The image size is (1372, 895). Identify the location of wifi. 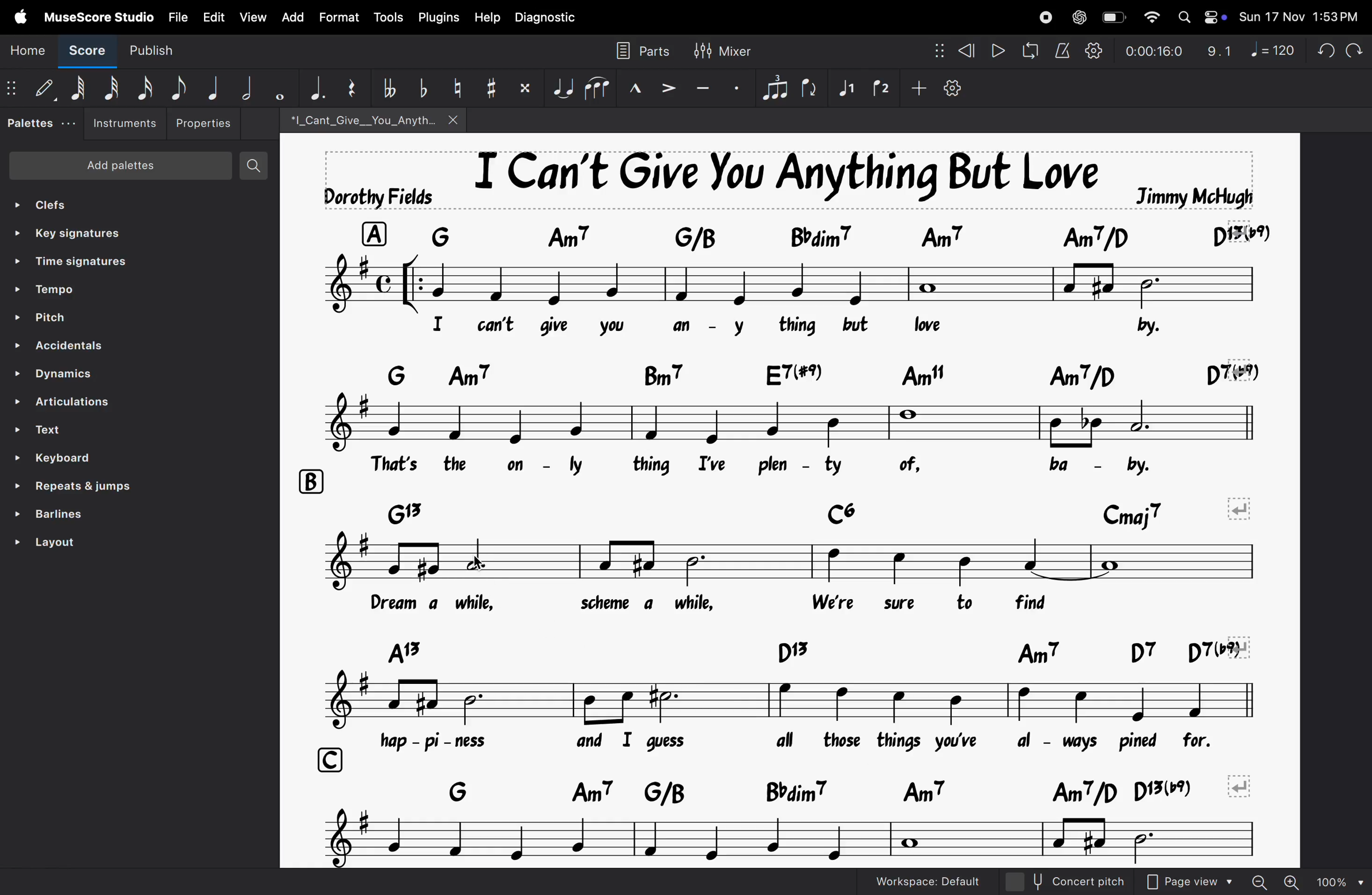
(1149, 17).